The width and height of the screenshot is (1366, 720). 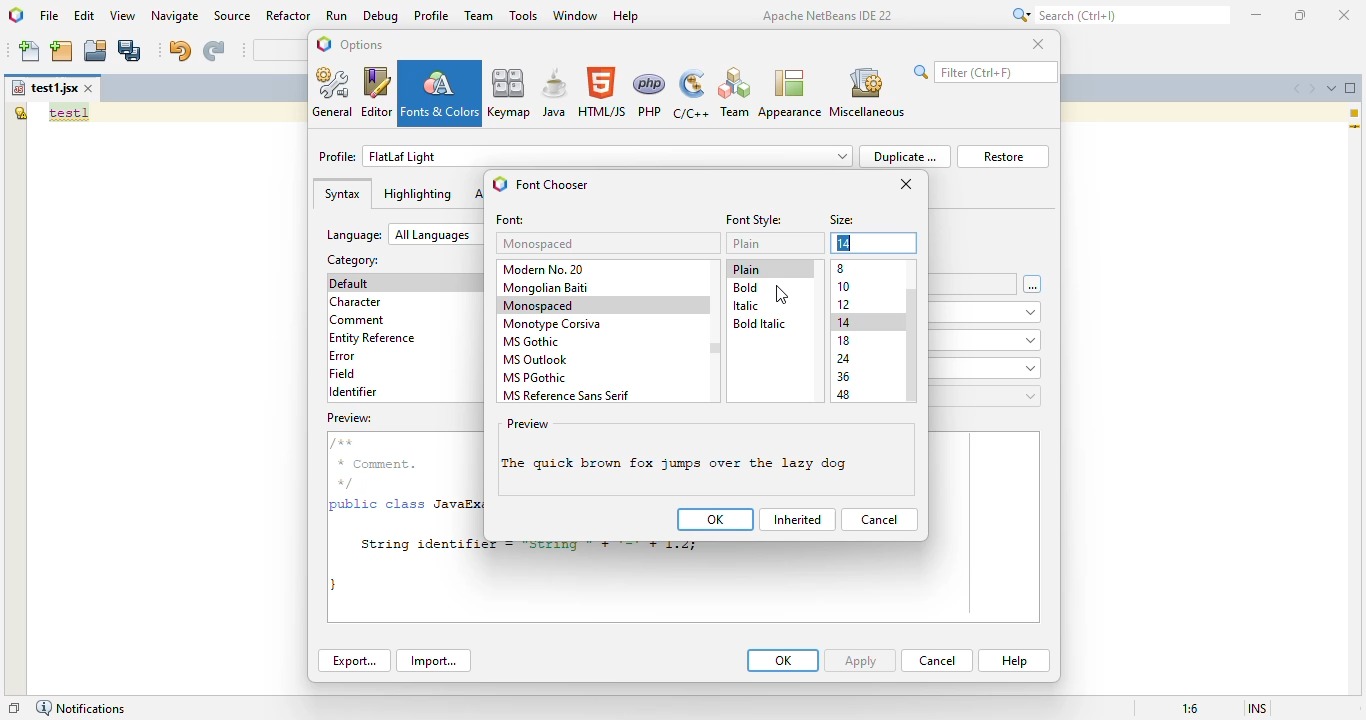 I want to click on bold, so click(x=747, y=288).